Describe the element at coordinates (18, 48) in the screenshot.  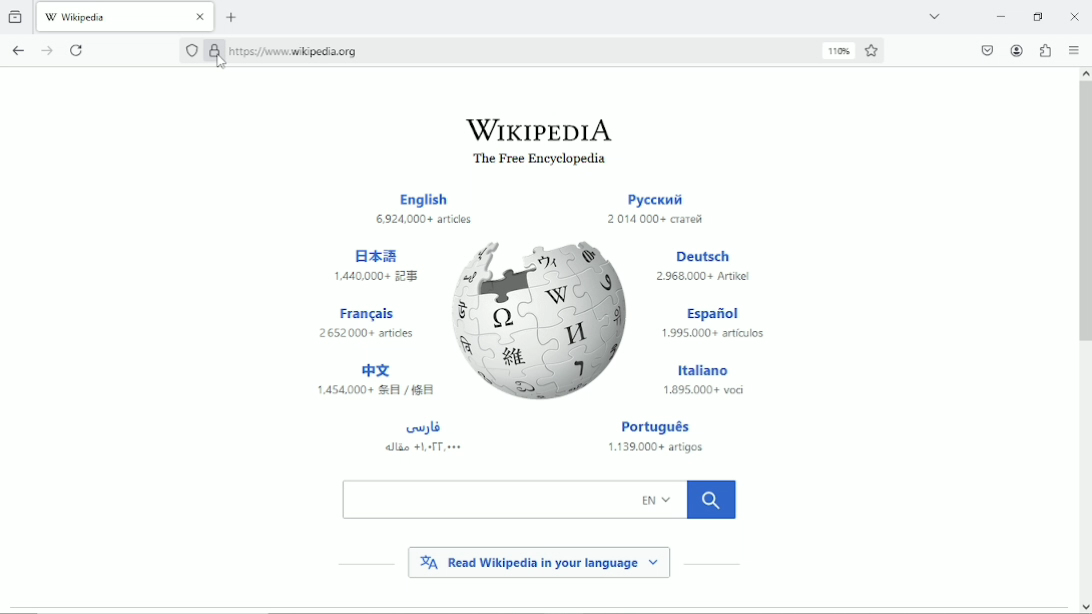
I see `go back` at that location.